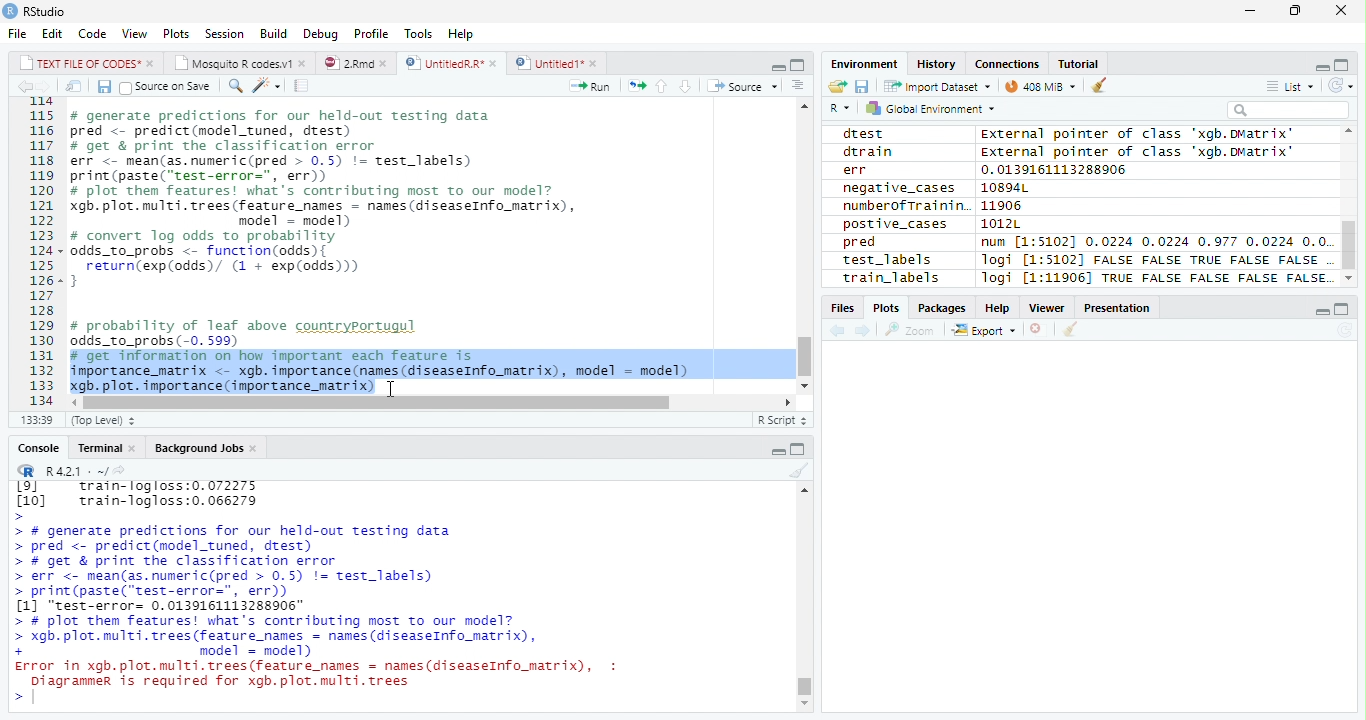 The height and width of the screenshot is (720, 1366). I want to click on 1012L, so click(1003, 223).